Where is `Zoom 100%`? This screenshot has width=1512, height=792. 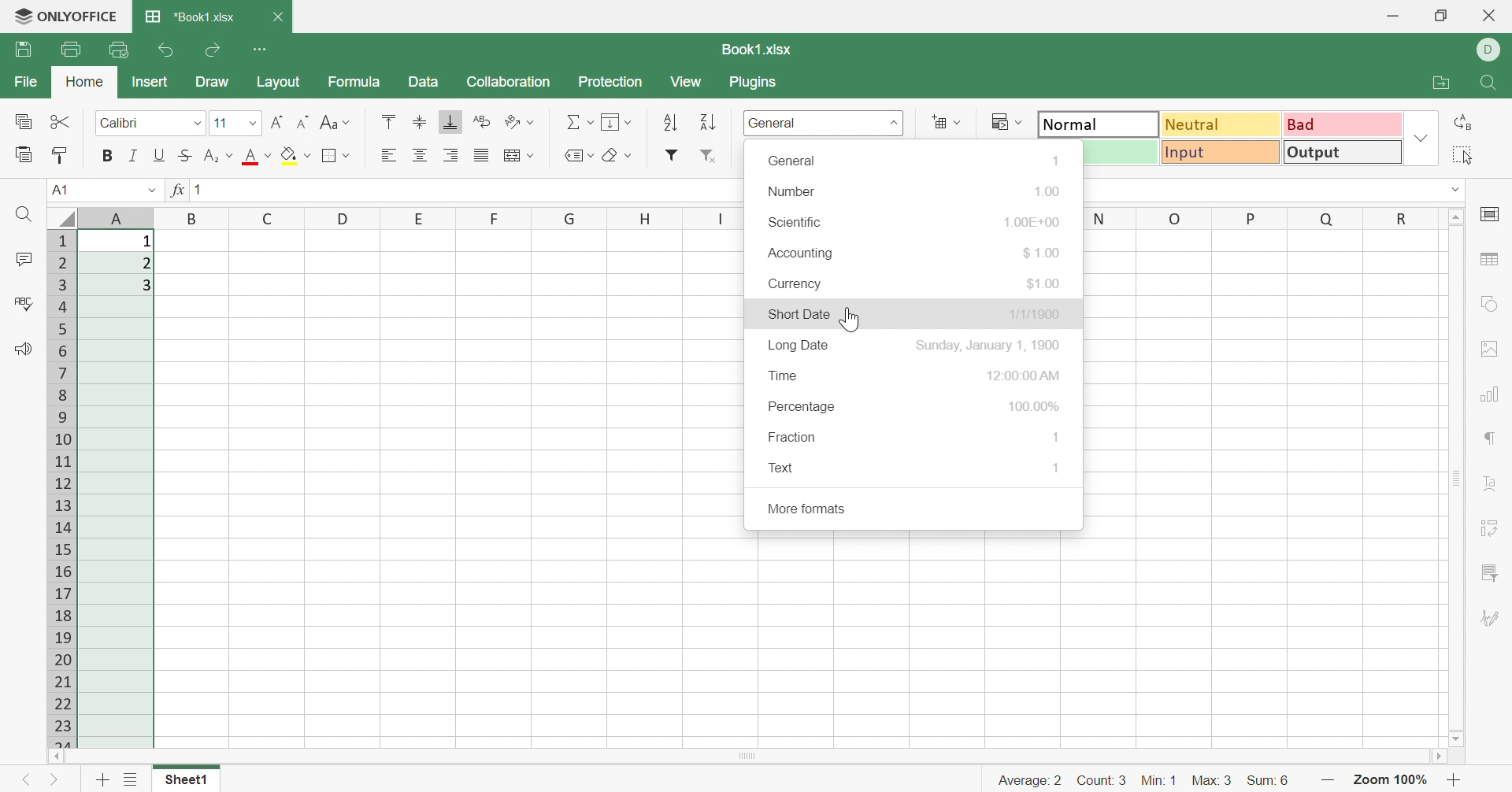 Zoom 100% is located at coordinates (1392, 782).